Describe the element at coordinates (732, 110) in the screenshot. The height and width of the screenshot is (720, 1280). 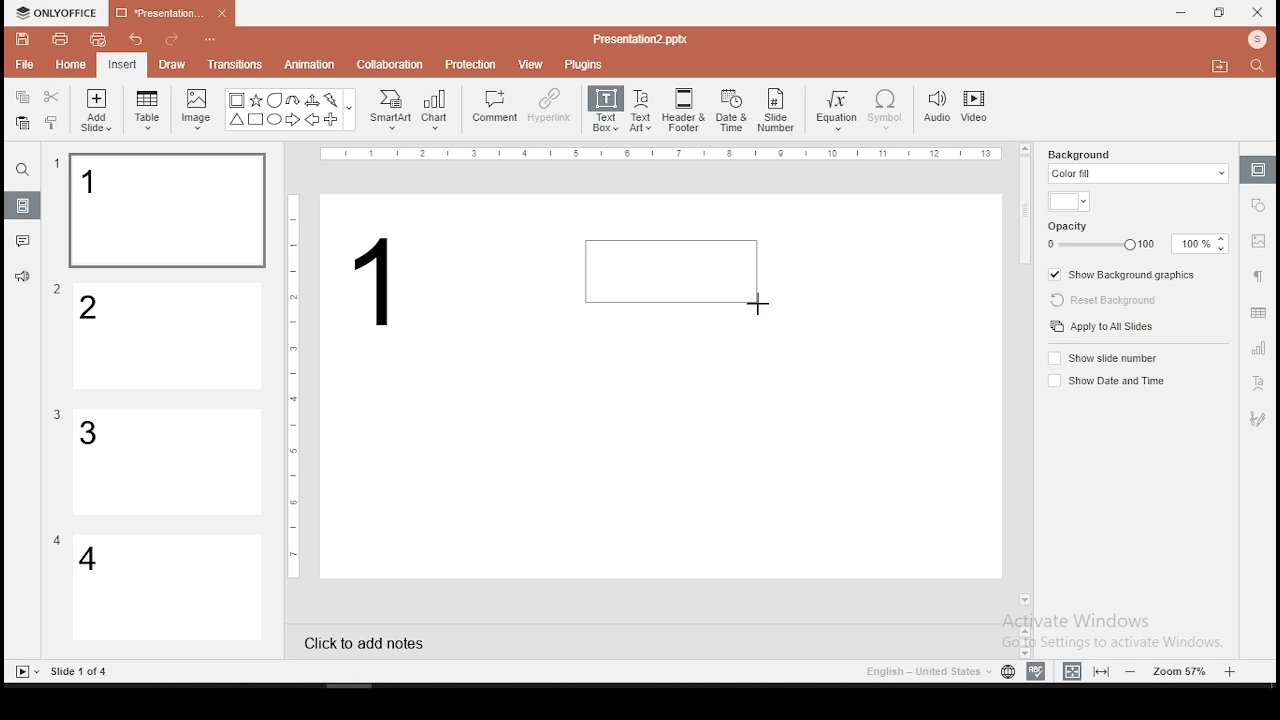
I see `date and time` at that location.